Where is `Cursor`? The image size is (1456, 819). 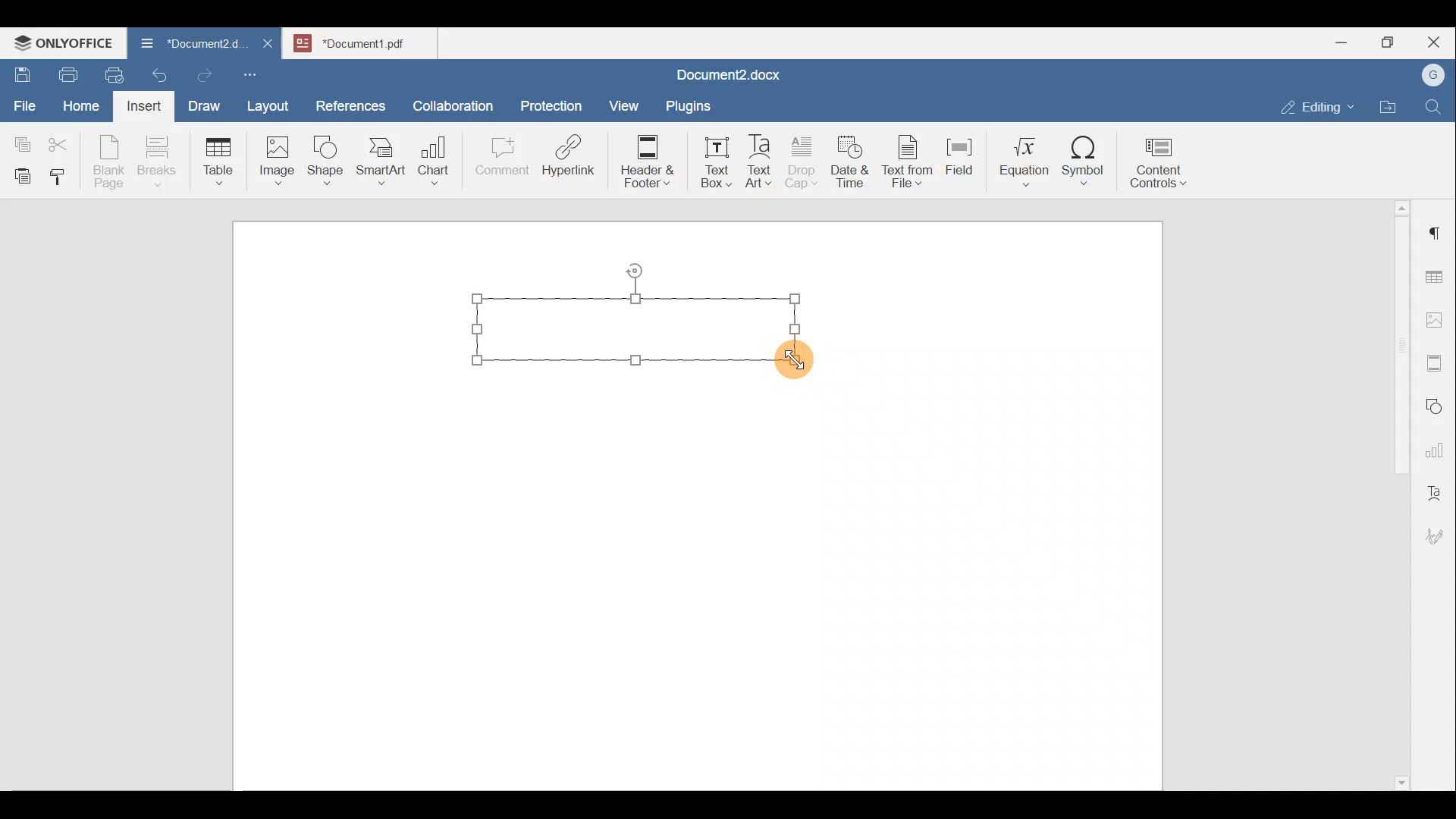 Cursor is located at coordinates (781, 353).